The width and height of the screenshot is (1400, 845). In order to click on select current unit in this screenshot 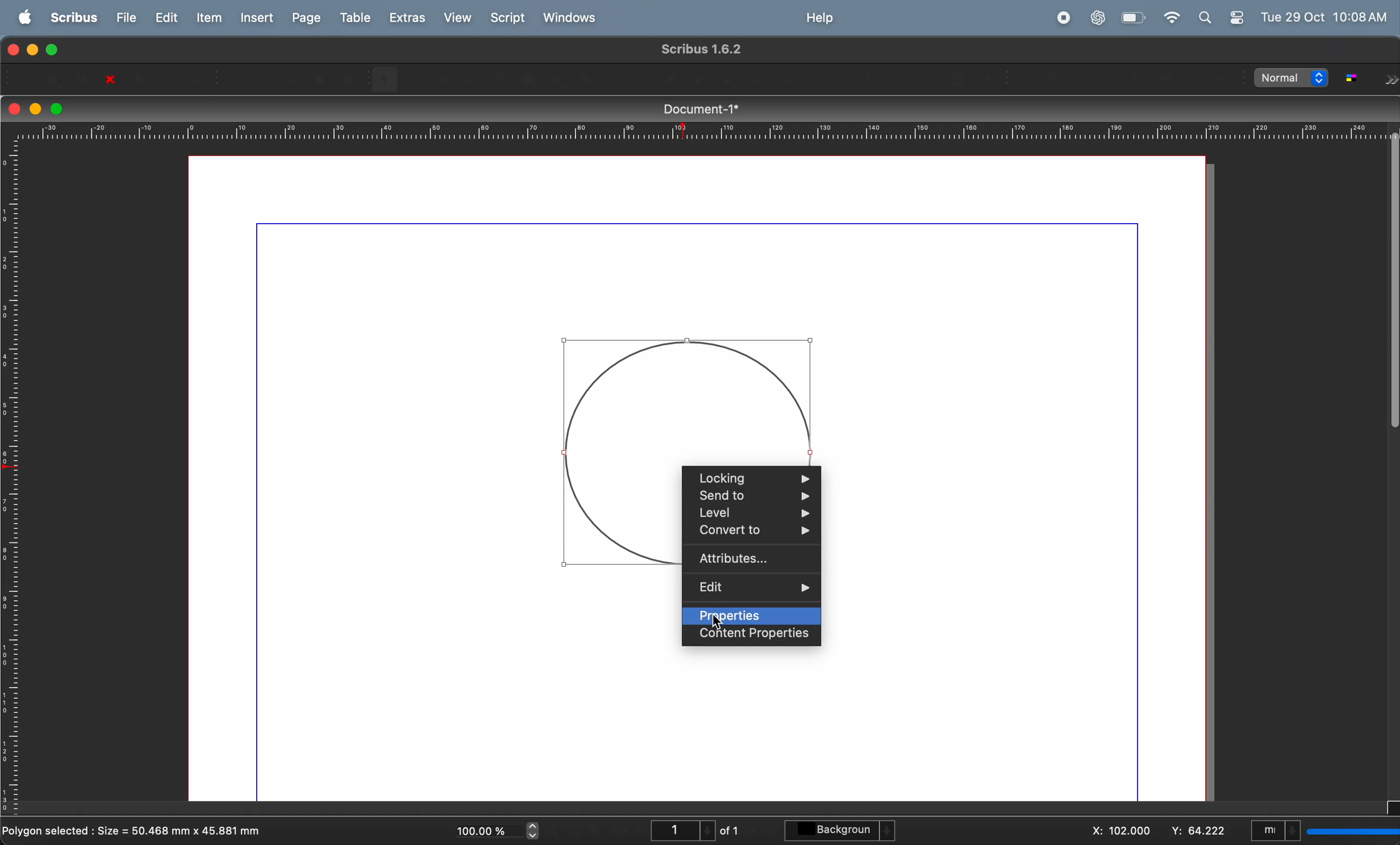, I will do `click(1324, 827)`.